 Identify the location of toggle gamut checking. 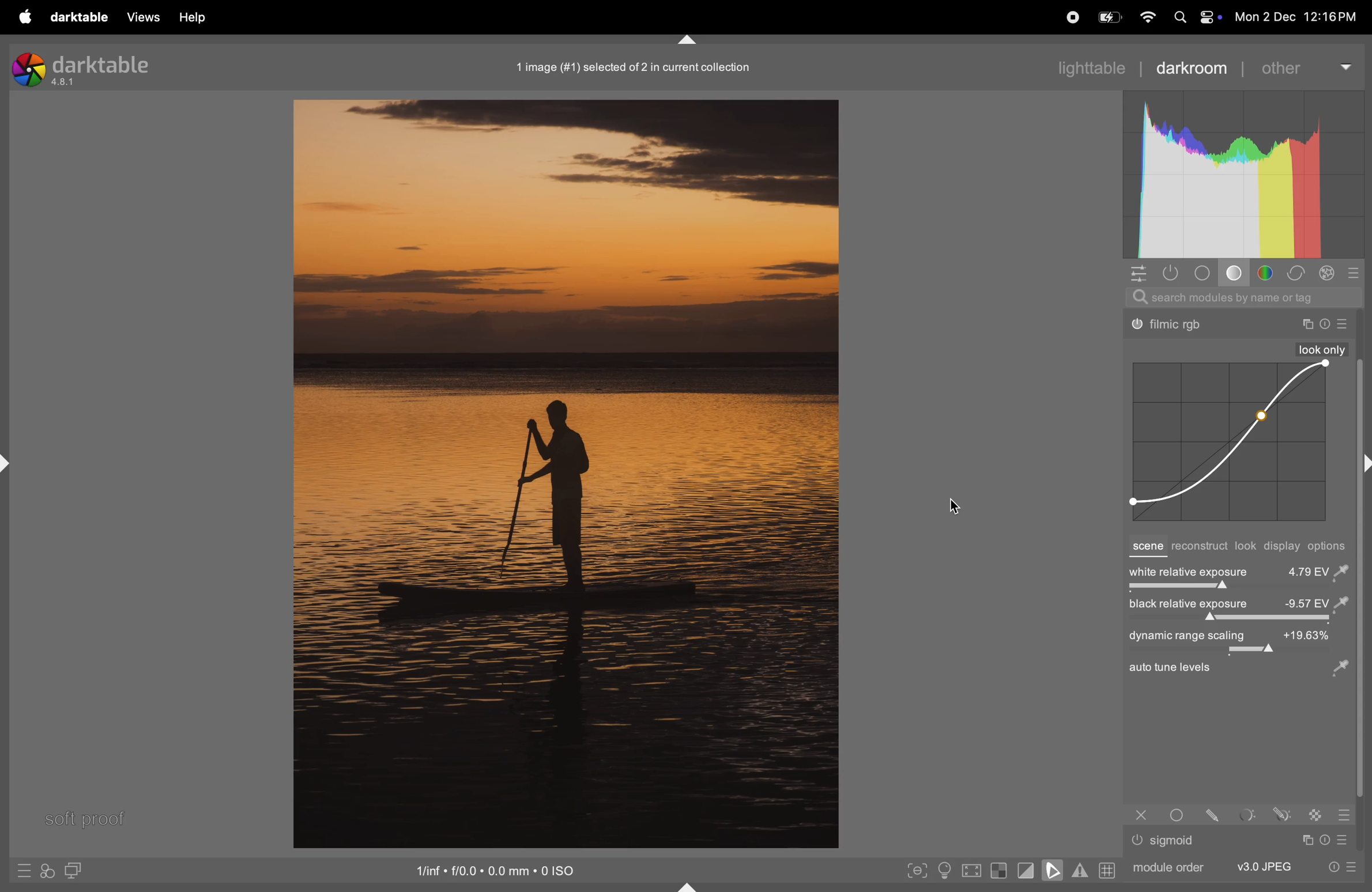
(1080, 870).